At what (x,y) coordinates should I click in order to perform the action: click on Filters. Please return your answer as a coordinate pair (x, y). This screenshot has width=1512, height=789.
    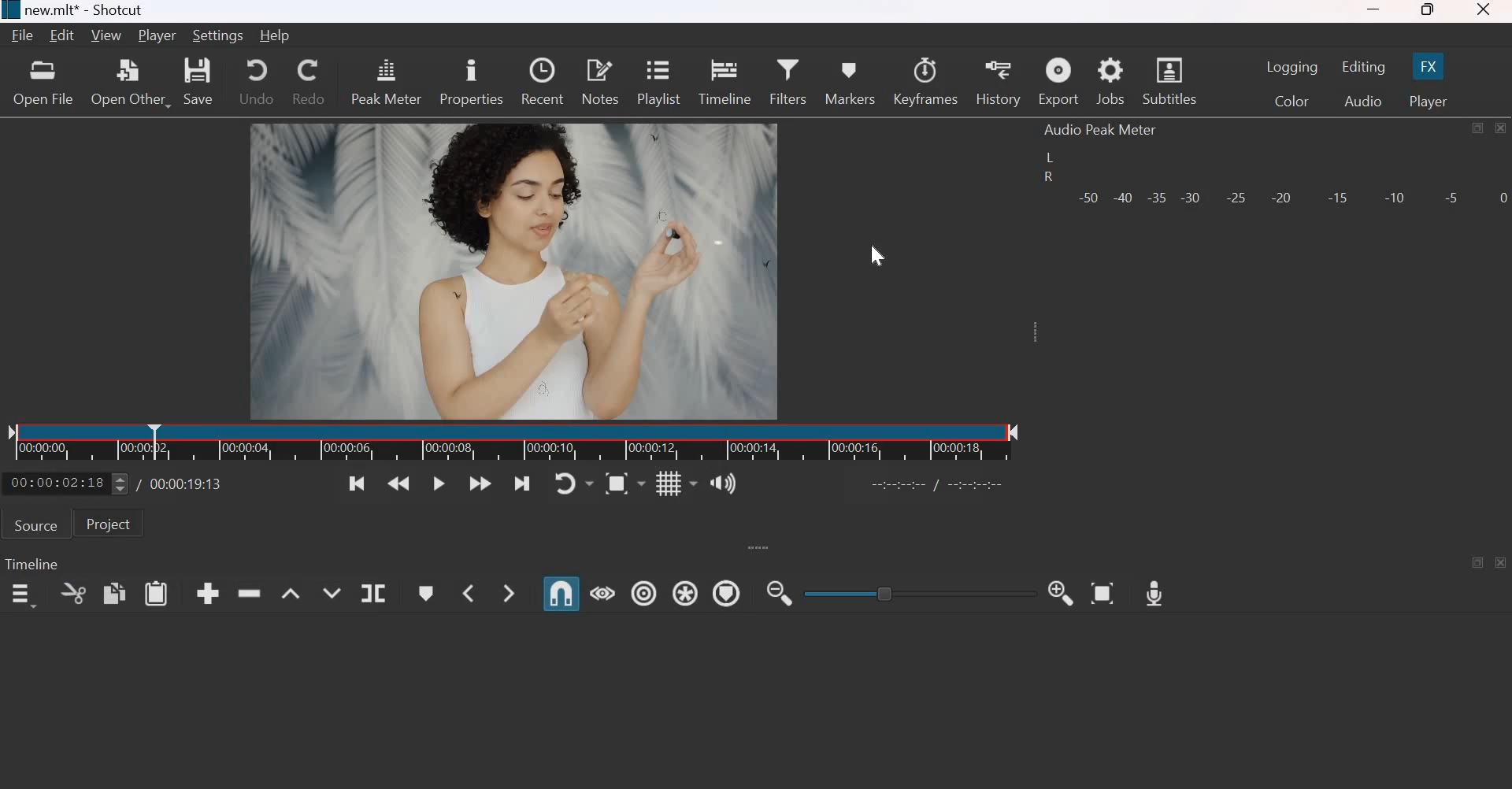
    Looking at the image, I should click on (791, 80).